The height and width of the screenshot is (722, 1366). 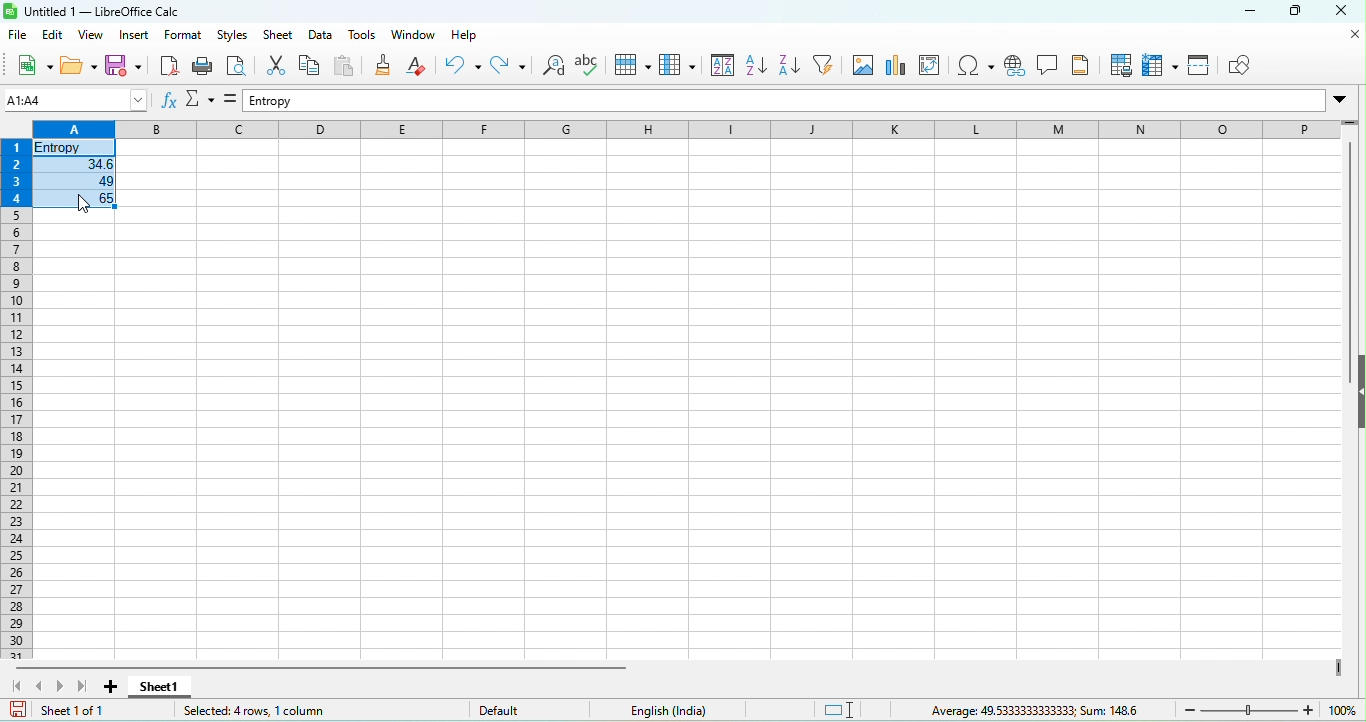 I want to click on help, so click(x=473, y=36).